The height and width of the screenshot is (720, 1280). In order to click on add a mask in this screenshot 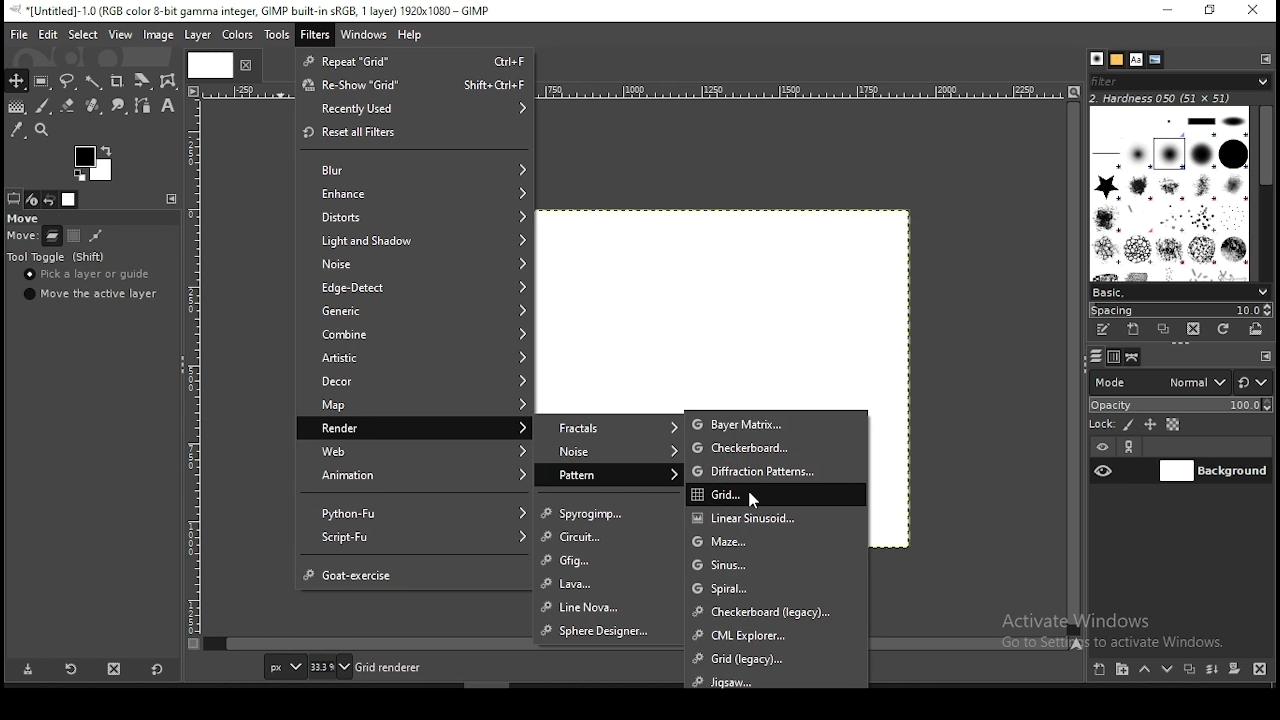, I will do `click(1236, 670)`.